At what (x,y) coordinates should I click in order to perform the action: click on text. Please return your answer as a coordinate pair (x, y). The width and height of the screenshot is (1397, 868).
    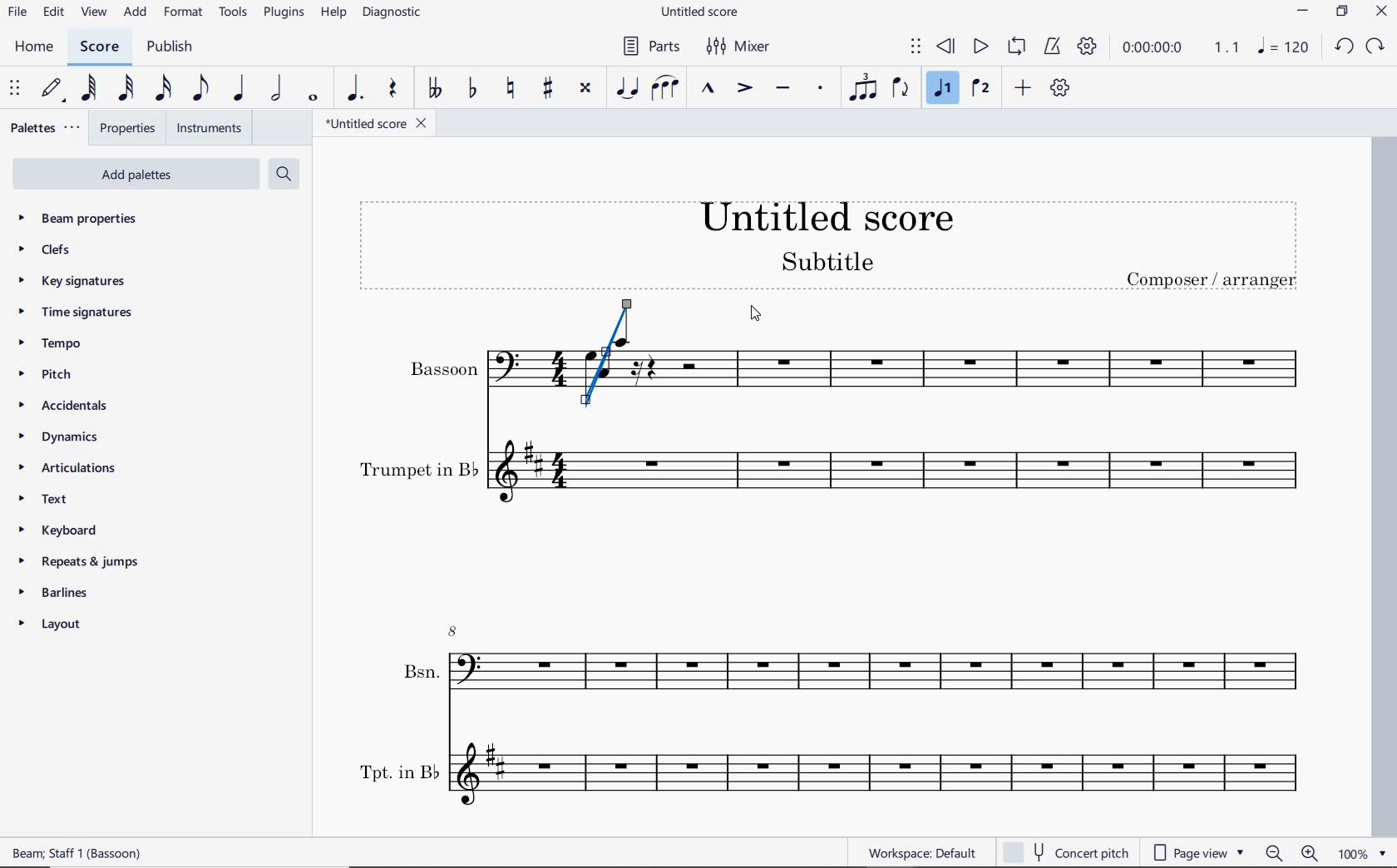
    Looking at the image, I should click on (46, 499).